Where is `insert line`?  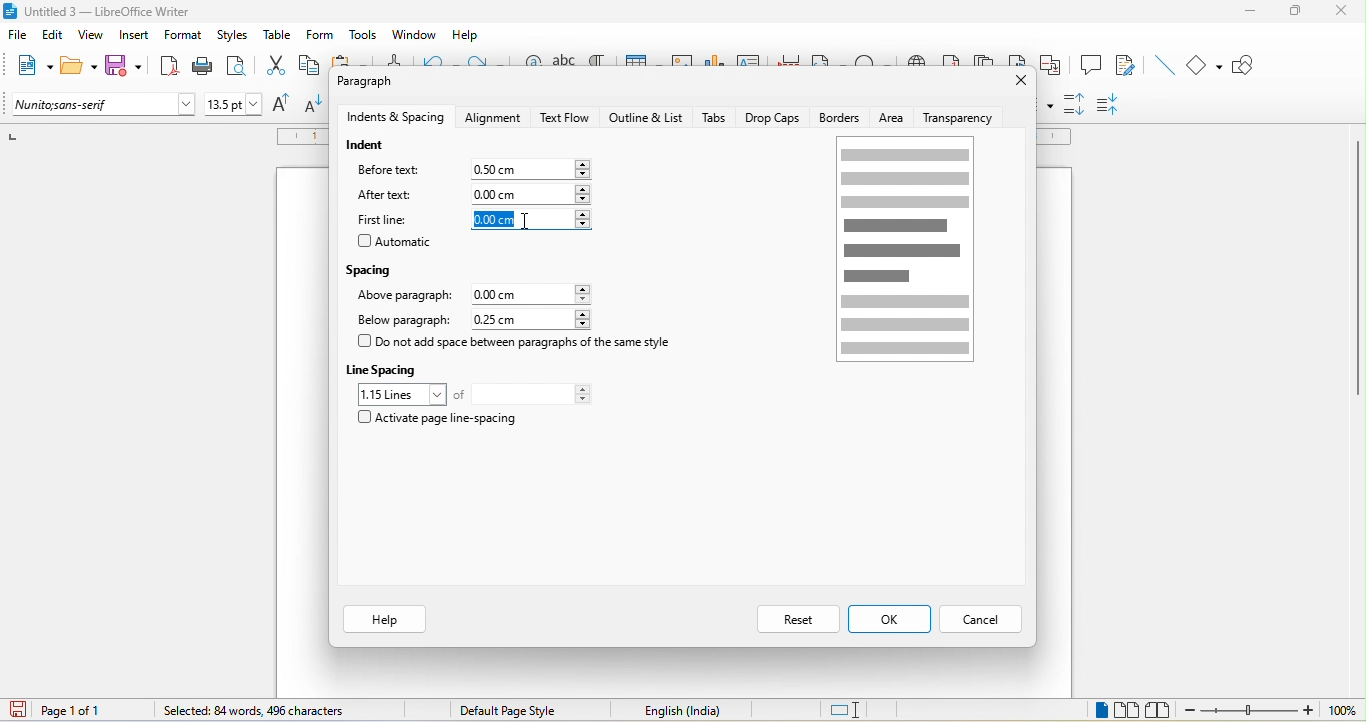 insert line is located at coordinates (1163, 65).